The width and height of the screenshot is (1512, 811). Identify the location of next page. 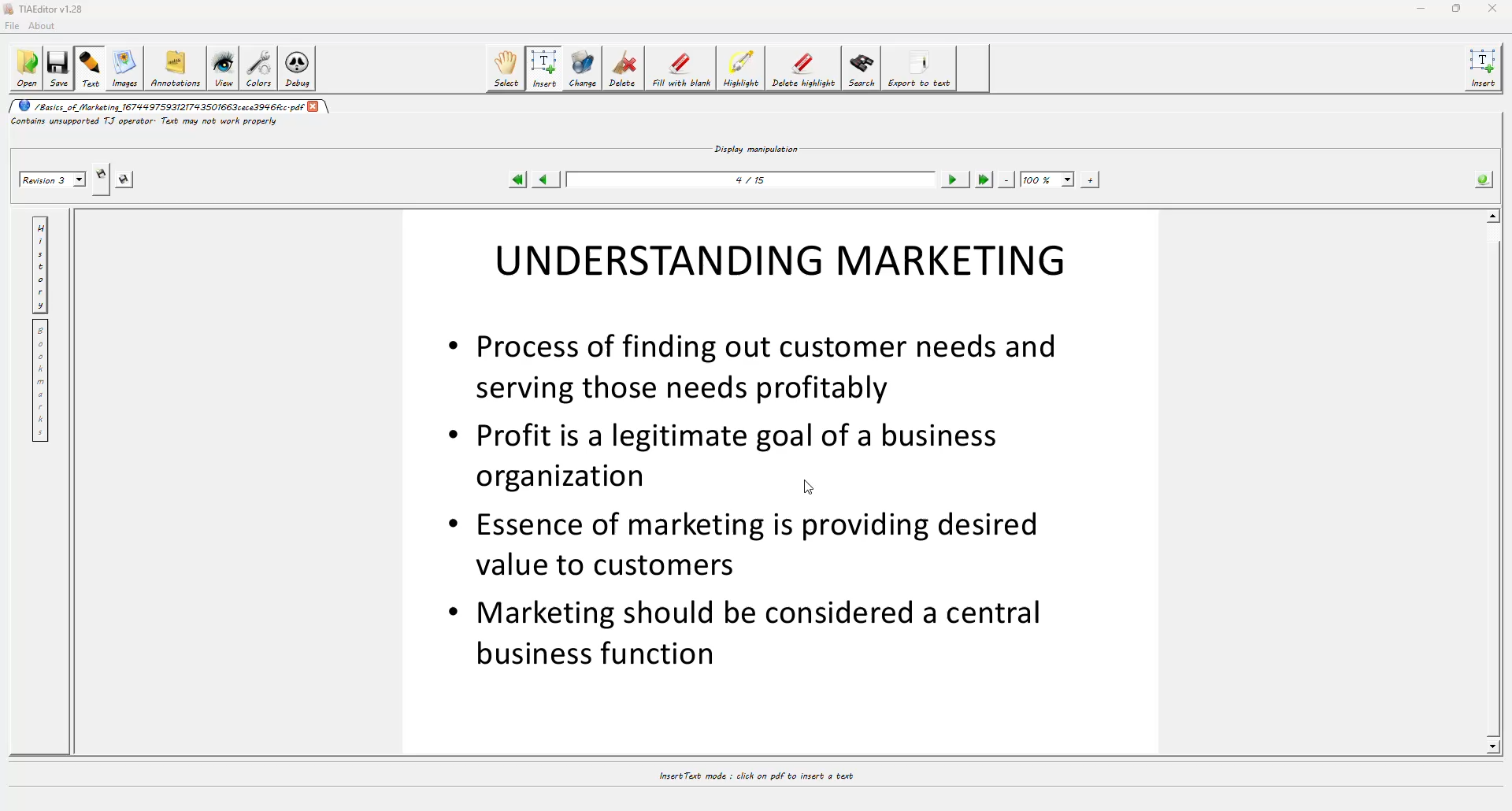
(955, 180).